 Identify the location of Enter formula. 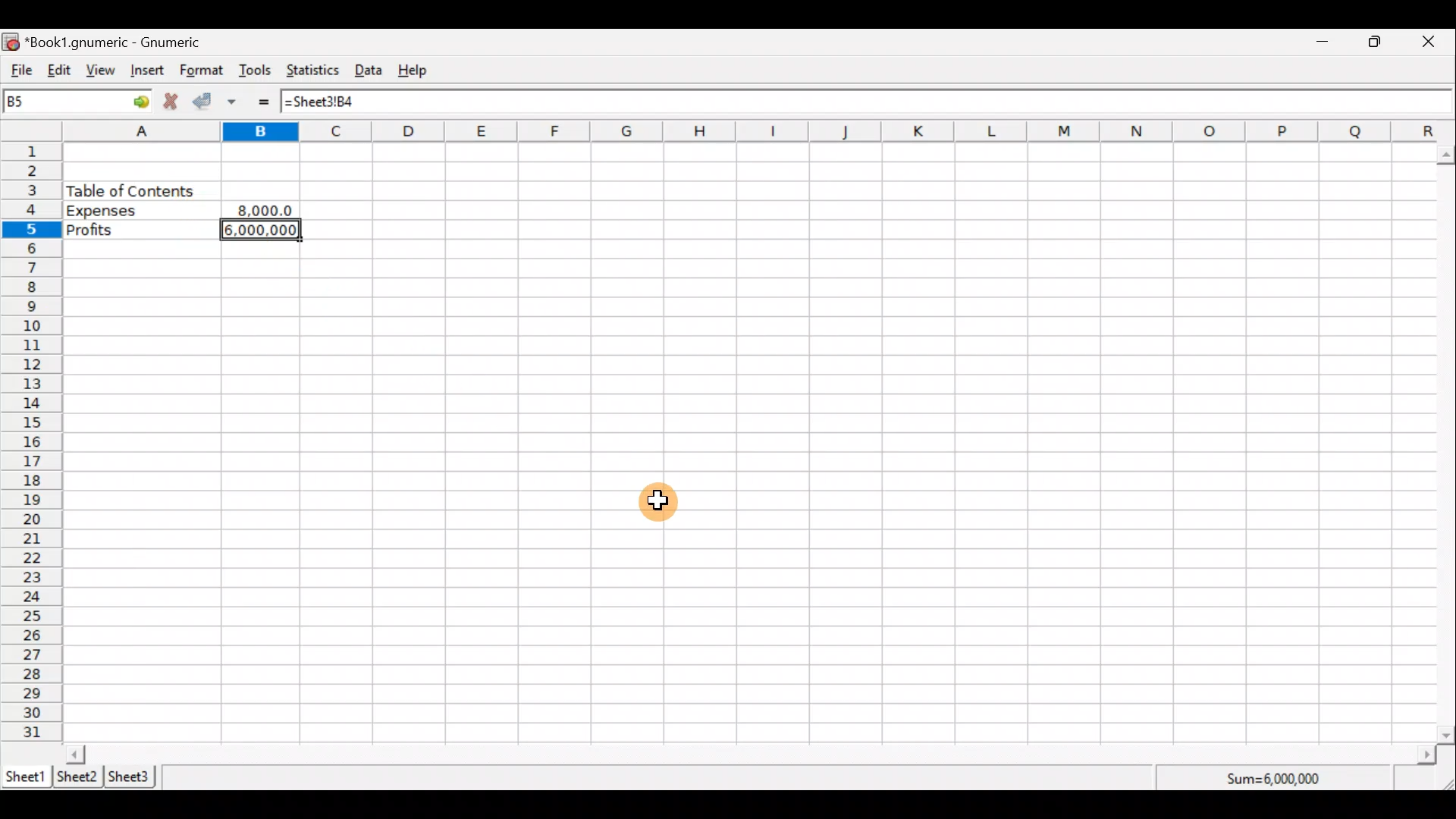
(267, 102).